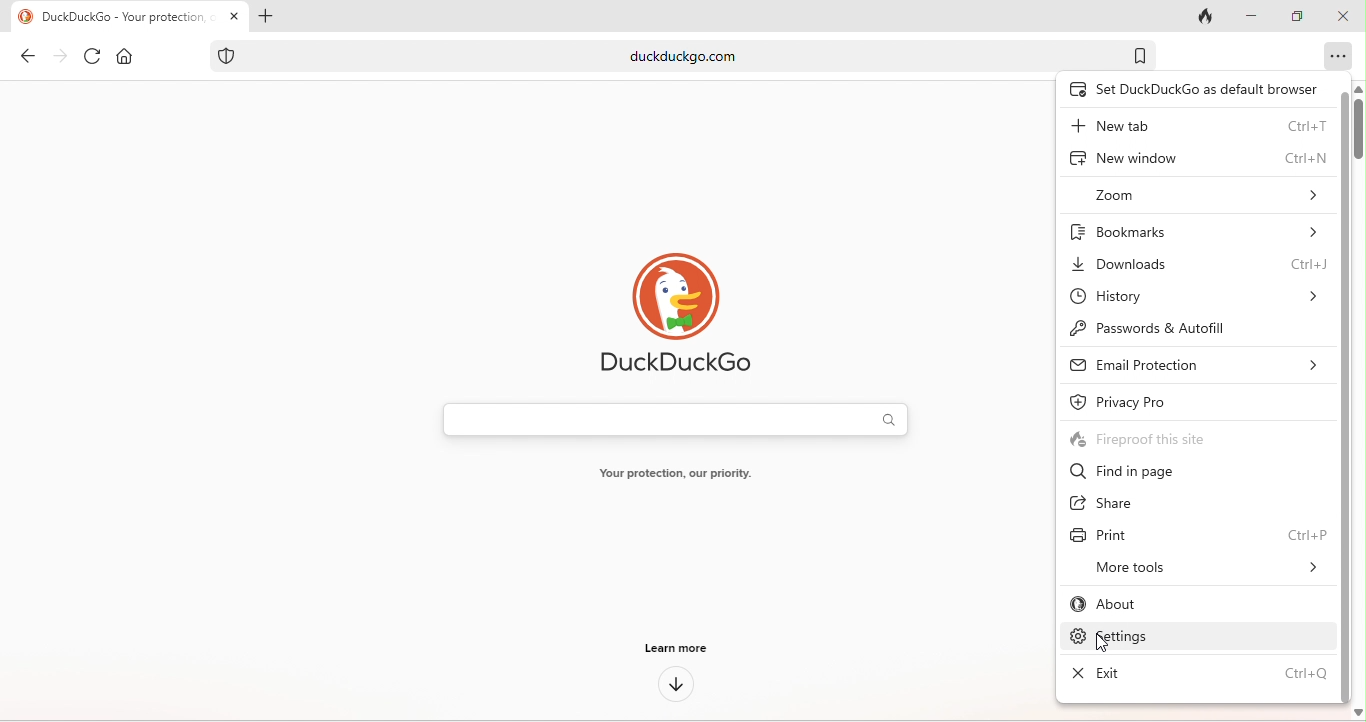 Image resolution: width=1366 pixels, height=722 pixels. I want to click on vertical scroll bar, so click(1357, 129).